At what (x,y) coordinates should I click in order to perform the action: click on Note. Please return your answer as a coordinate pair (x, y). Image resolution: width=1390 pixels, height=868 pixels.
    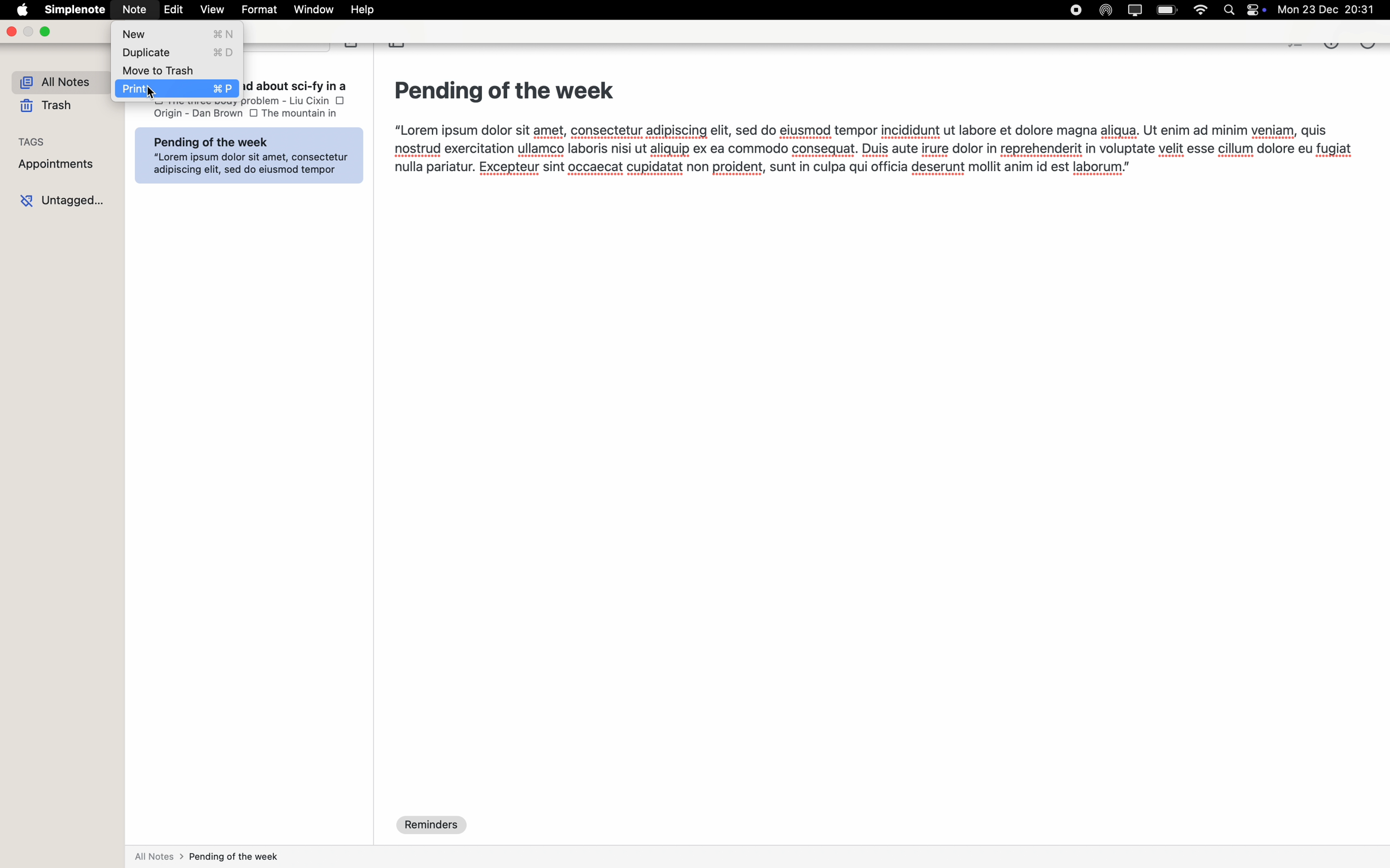
    Looking at the image, I should click on (135, 12).